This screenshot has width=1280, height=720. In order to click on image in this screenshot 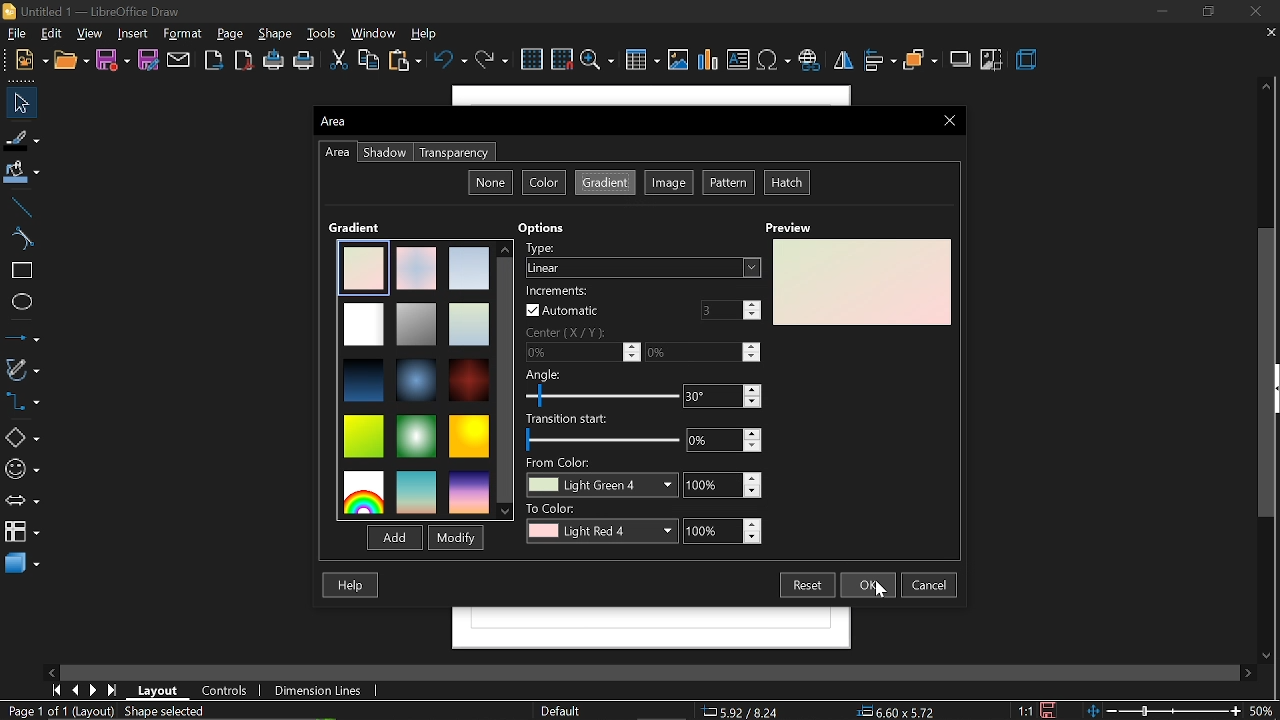, I will do `click(670, 184)`.